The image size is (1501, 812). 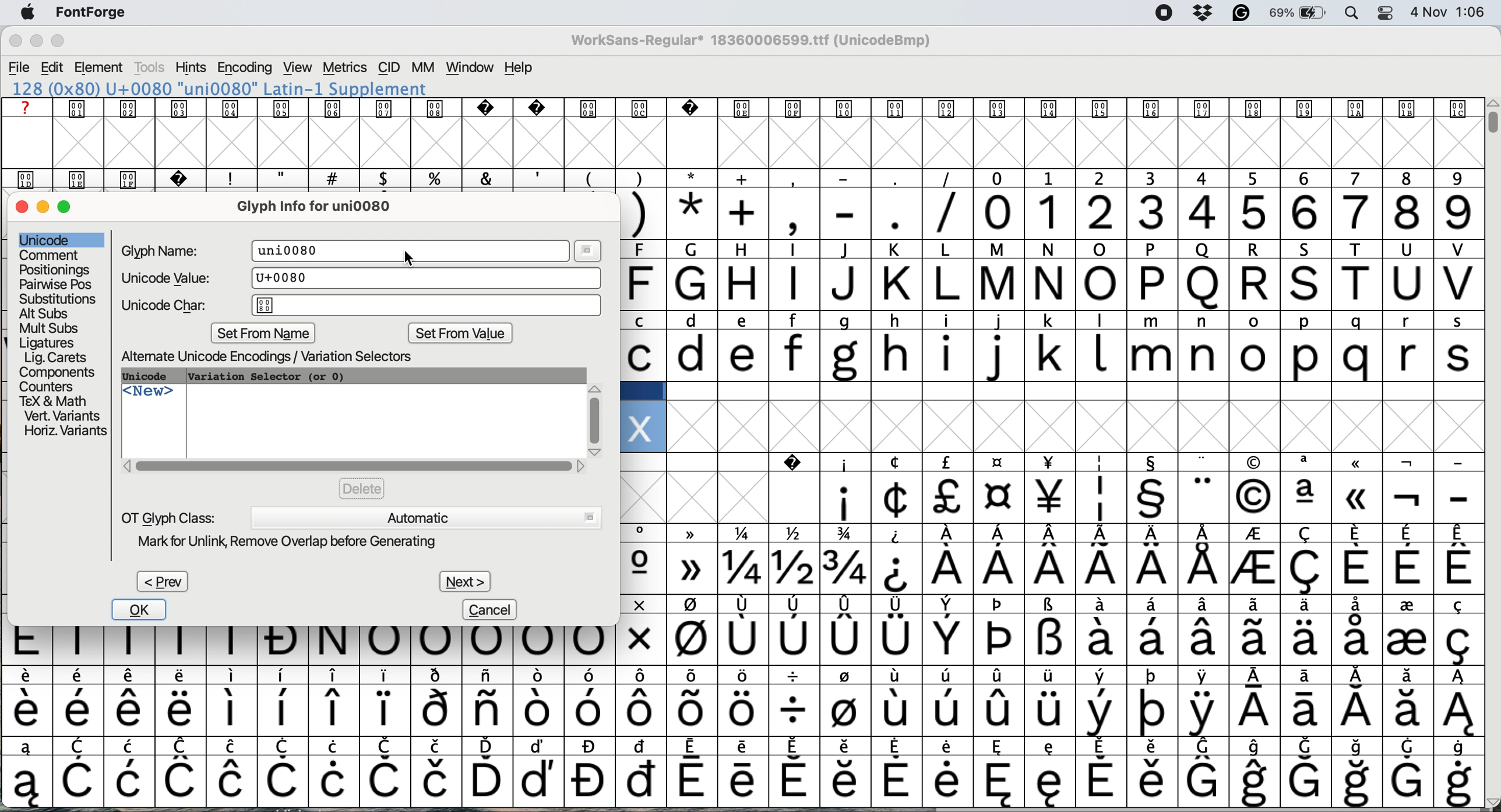 I want to click on substitutions, so click(x=59, y=299).